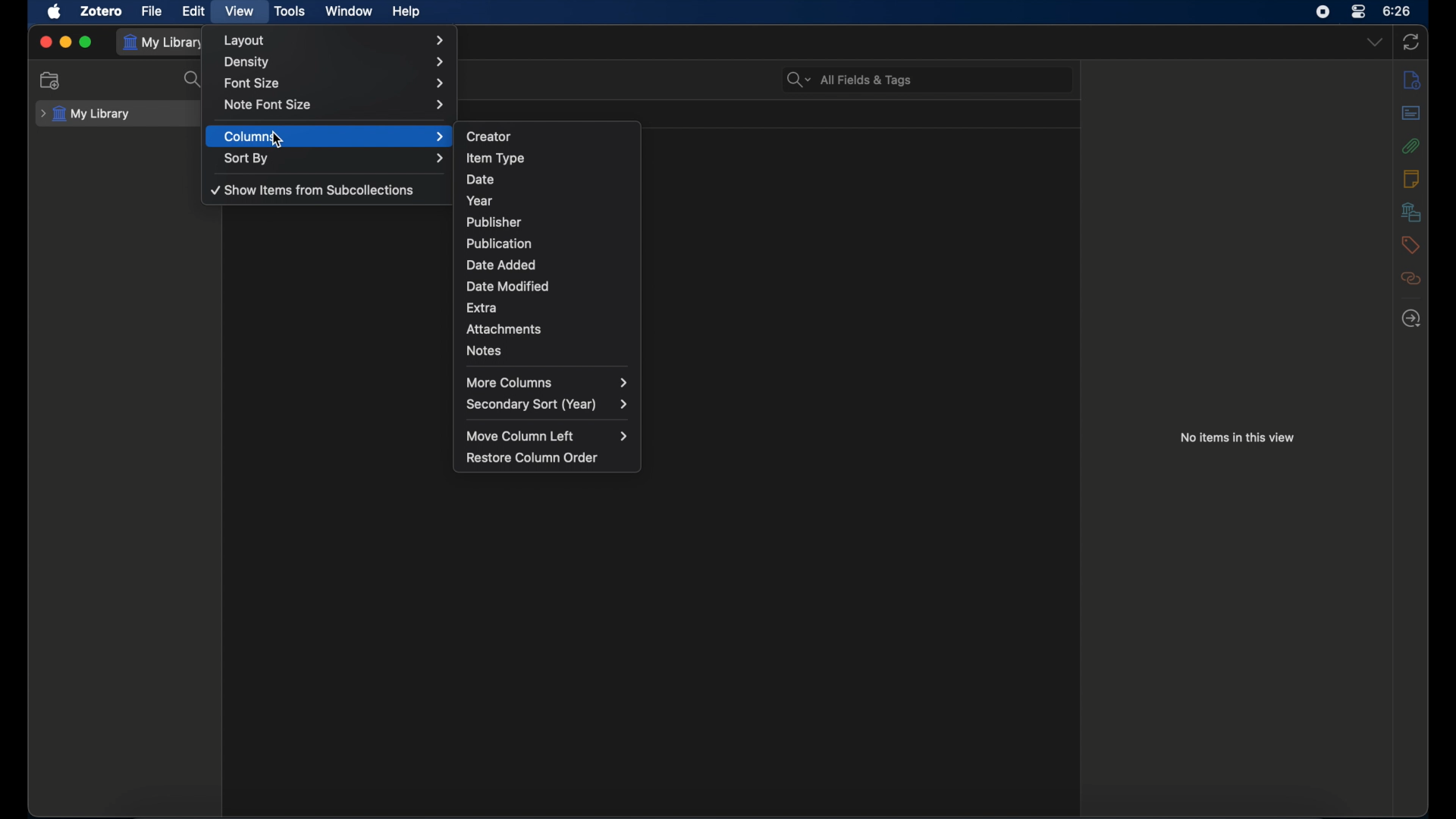  Describe the element at coordinates (349, 10) in the screenshot. I see `window` at that location.